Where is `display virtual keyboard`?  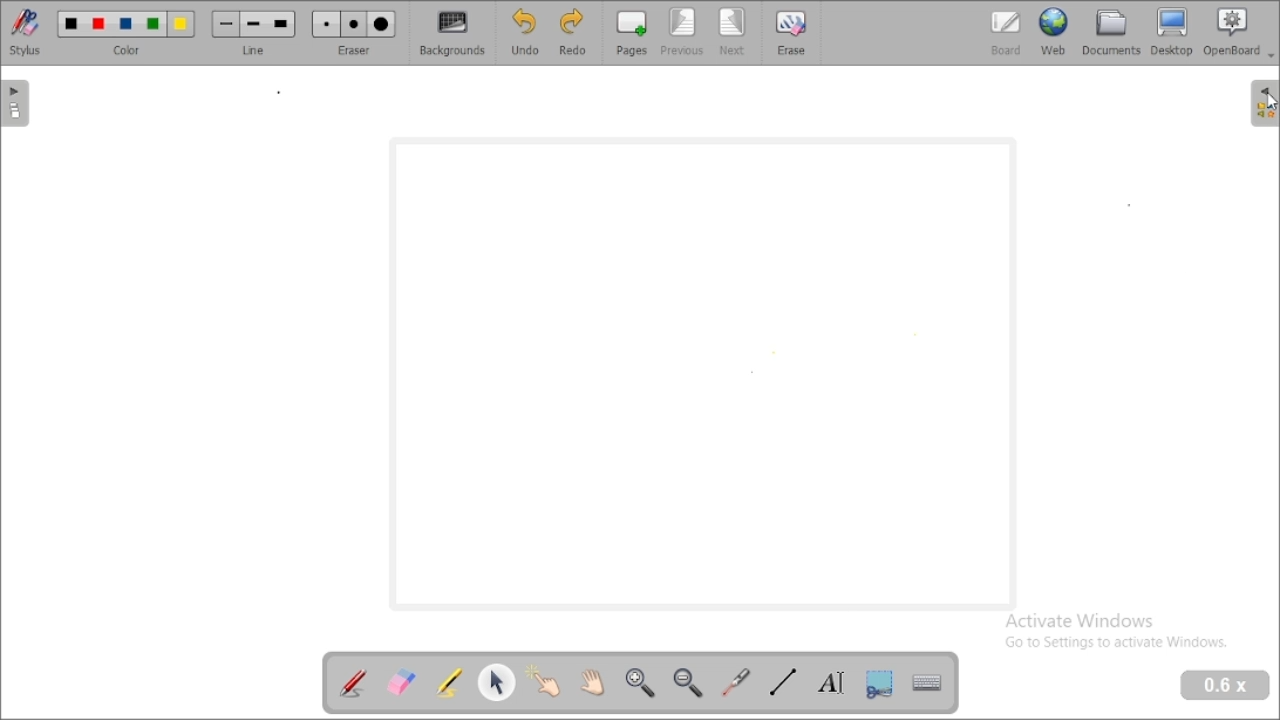
display virtual keyboard is located at coordinates (928, 681).